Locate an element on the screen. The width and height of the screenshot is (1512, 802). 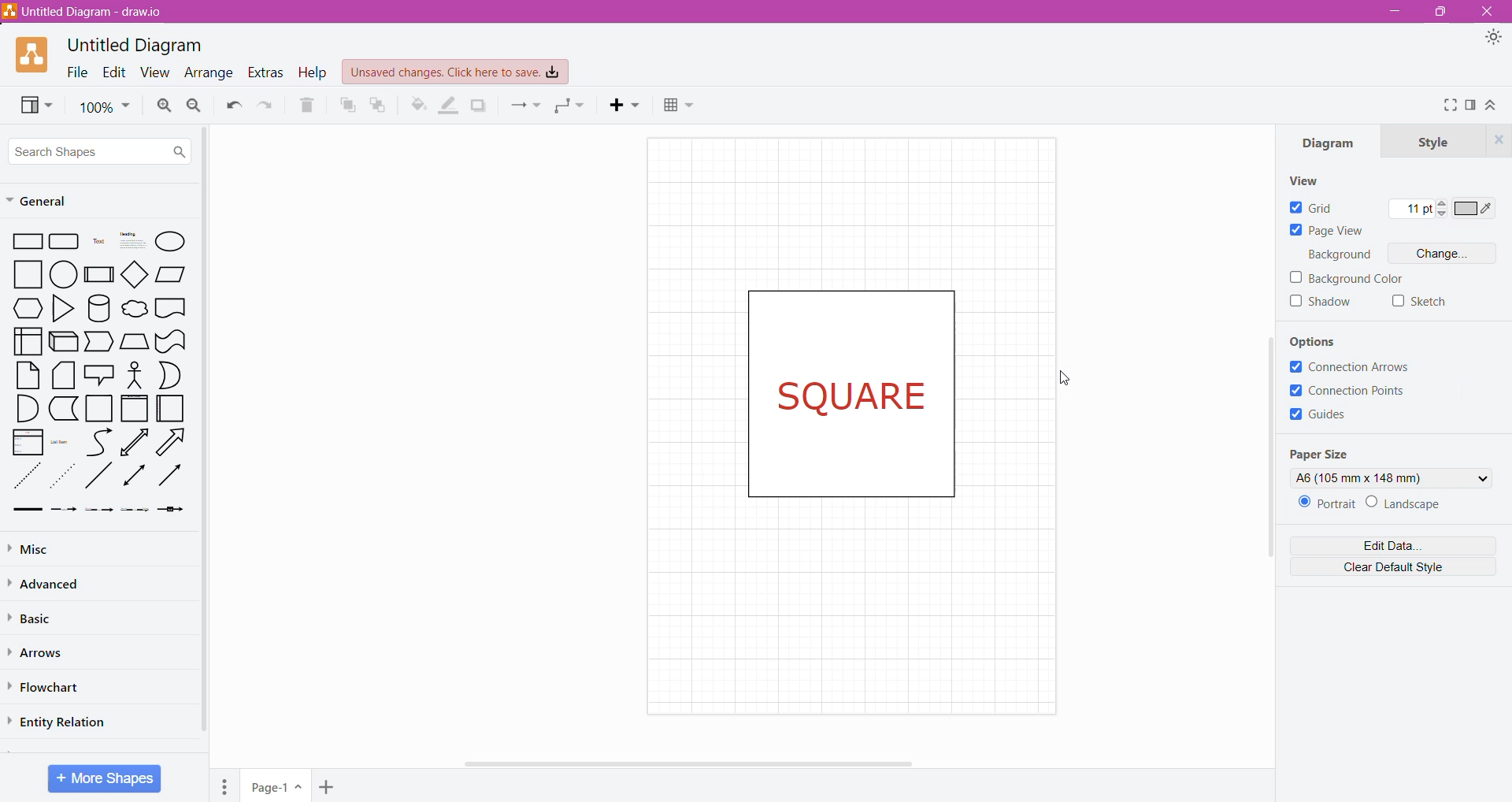
Folded Paper  is located at coordinates (172, 409).